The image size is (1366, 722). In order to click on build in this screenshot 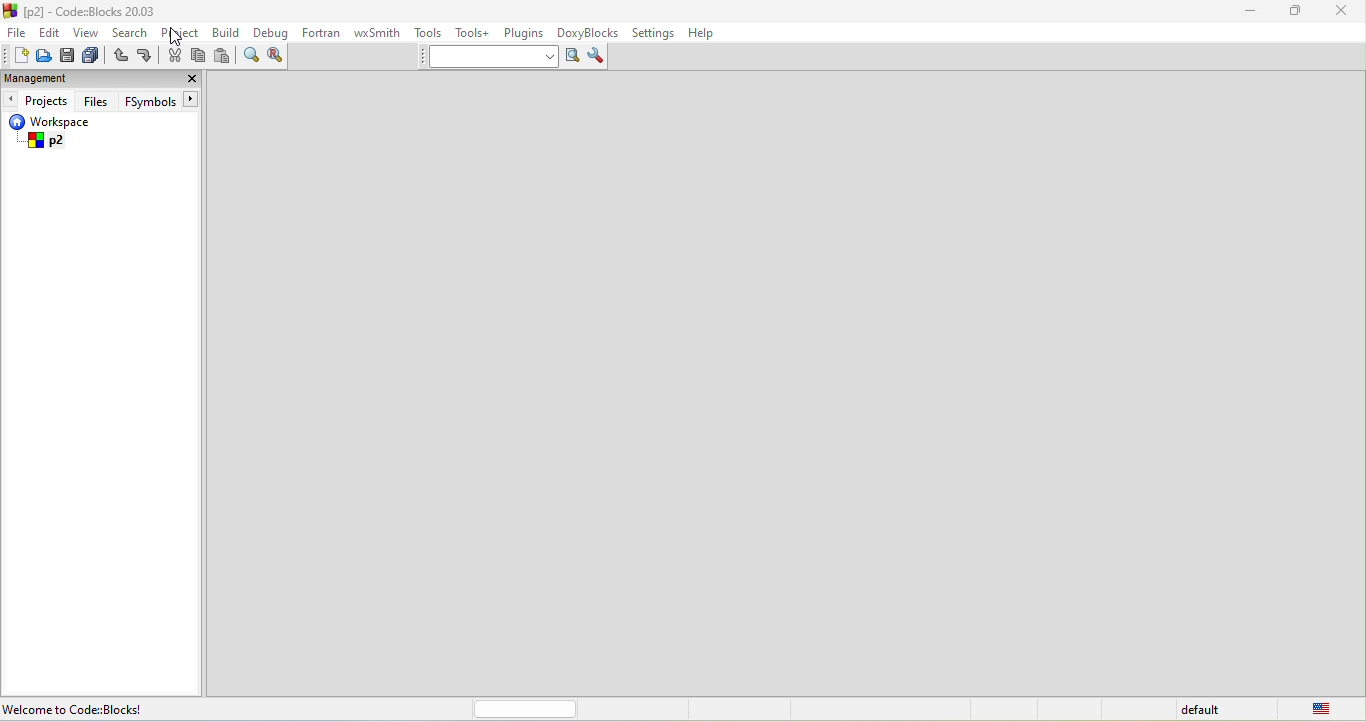, I will do `click(228, 35)`.